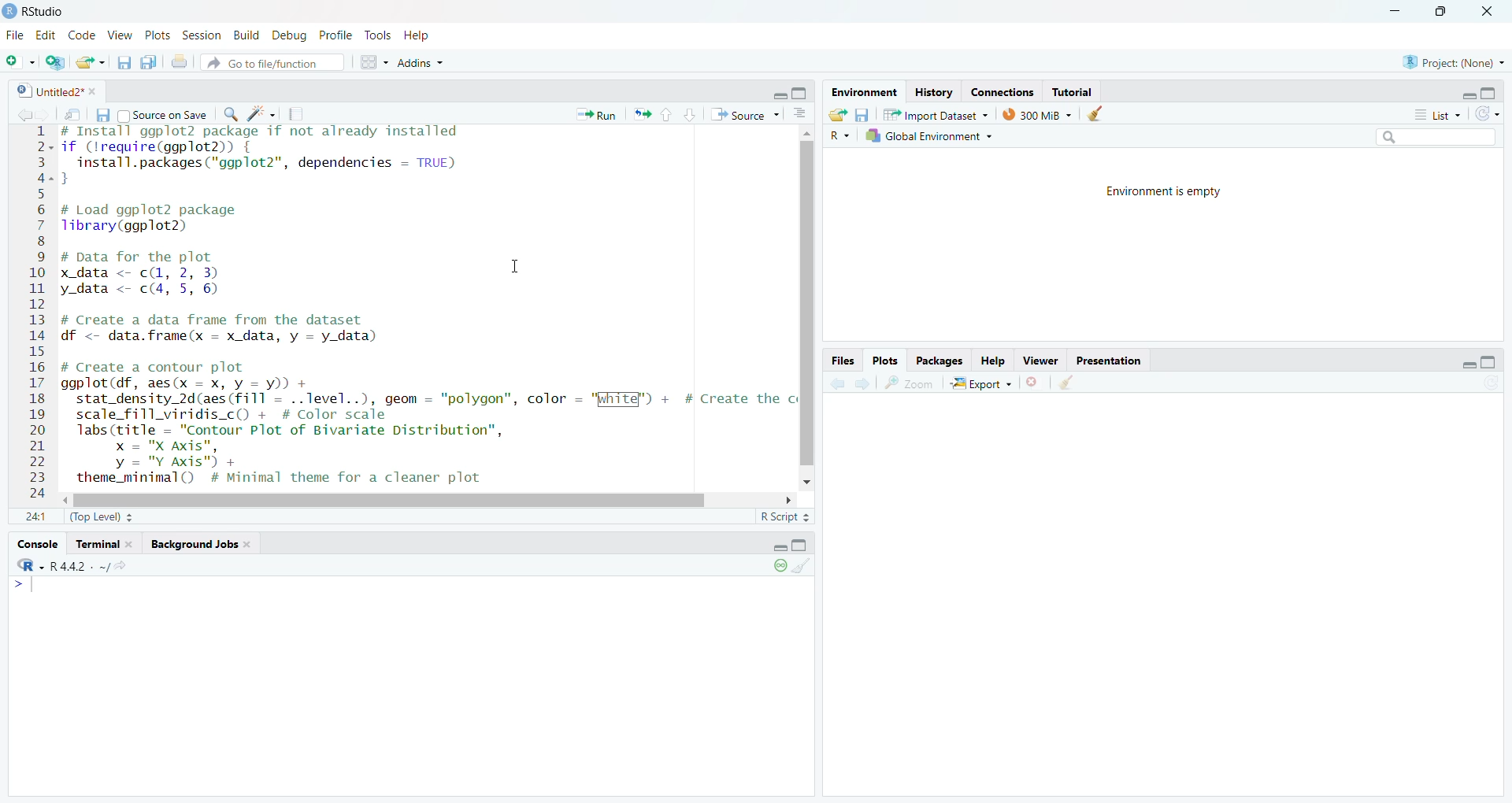 Image resolution: width=1512 pixels, height=803 pixels. What do you see at coordinates (804, 546) in the screenshot?
I see `hide console` at bounding box center [804, 546].